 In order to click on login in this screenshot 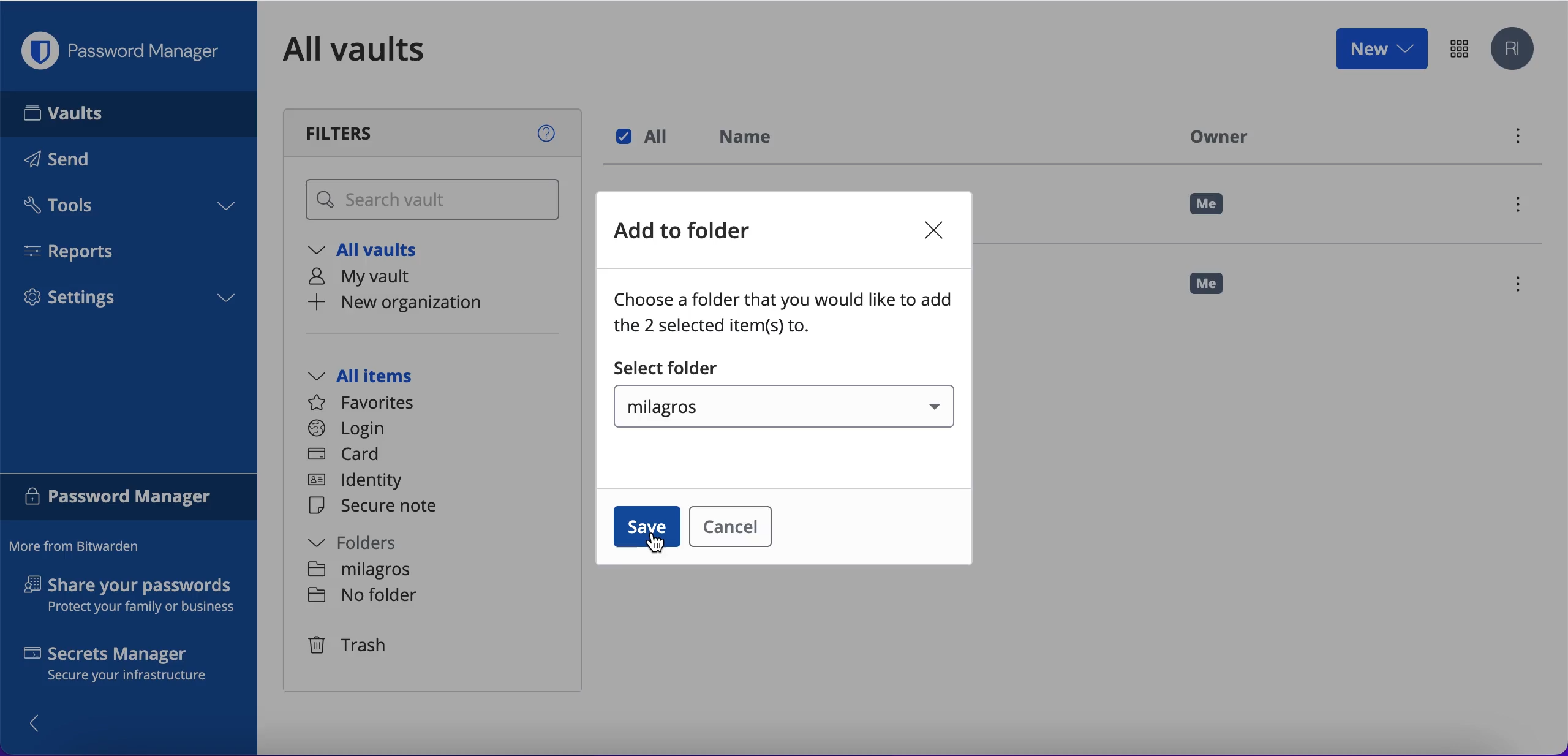, I will do `click(347, 429)`.